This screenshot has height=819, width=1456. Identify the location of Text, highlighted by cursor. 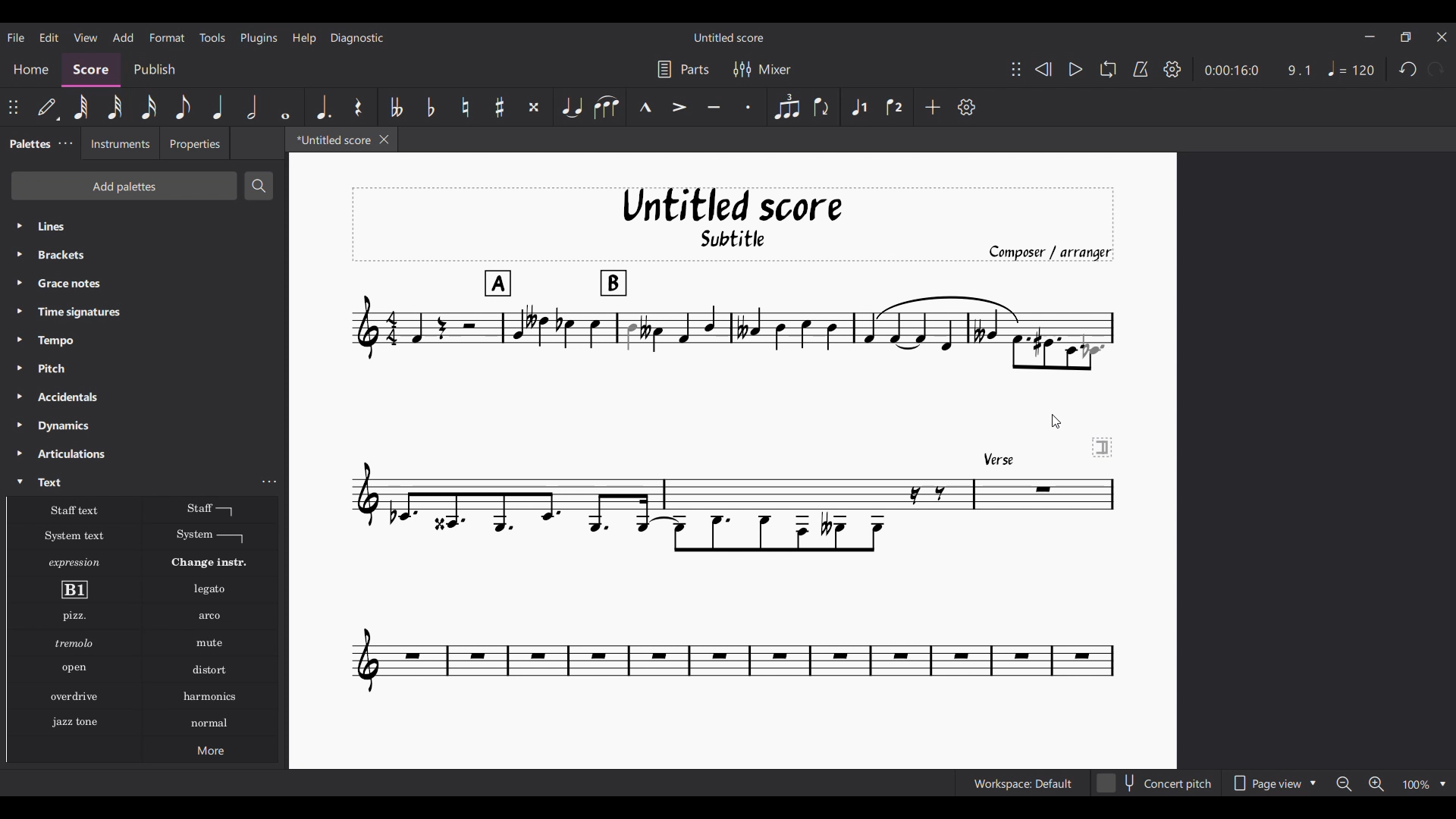
(130, 481).